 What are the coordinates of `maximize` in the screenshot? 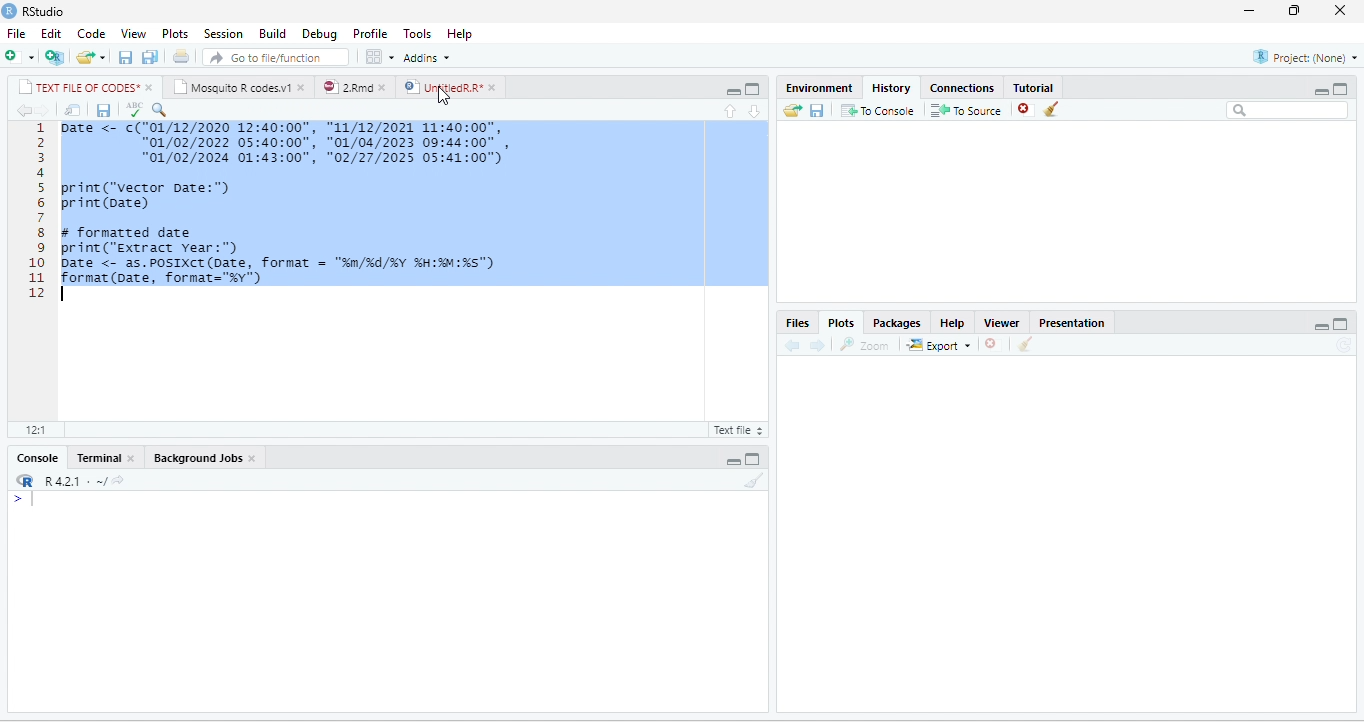 It's located at (1341, 324).